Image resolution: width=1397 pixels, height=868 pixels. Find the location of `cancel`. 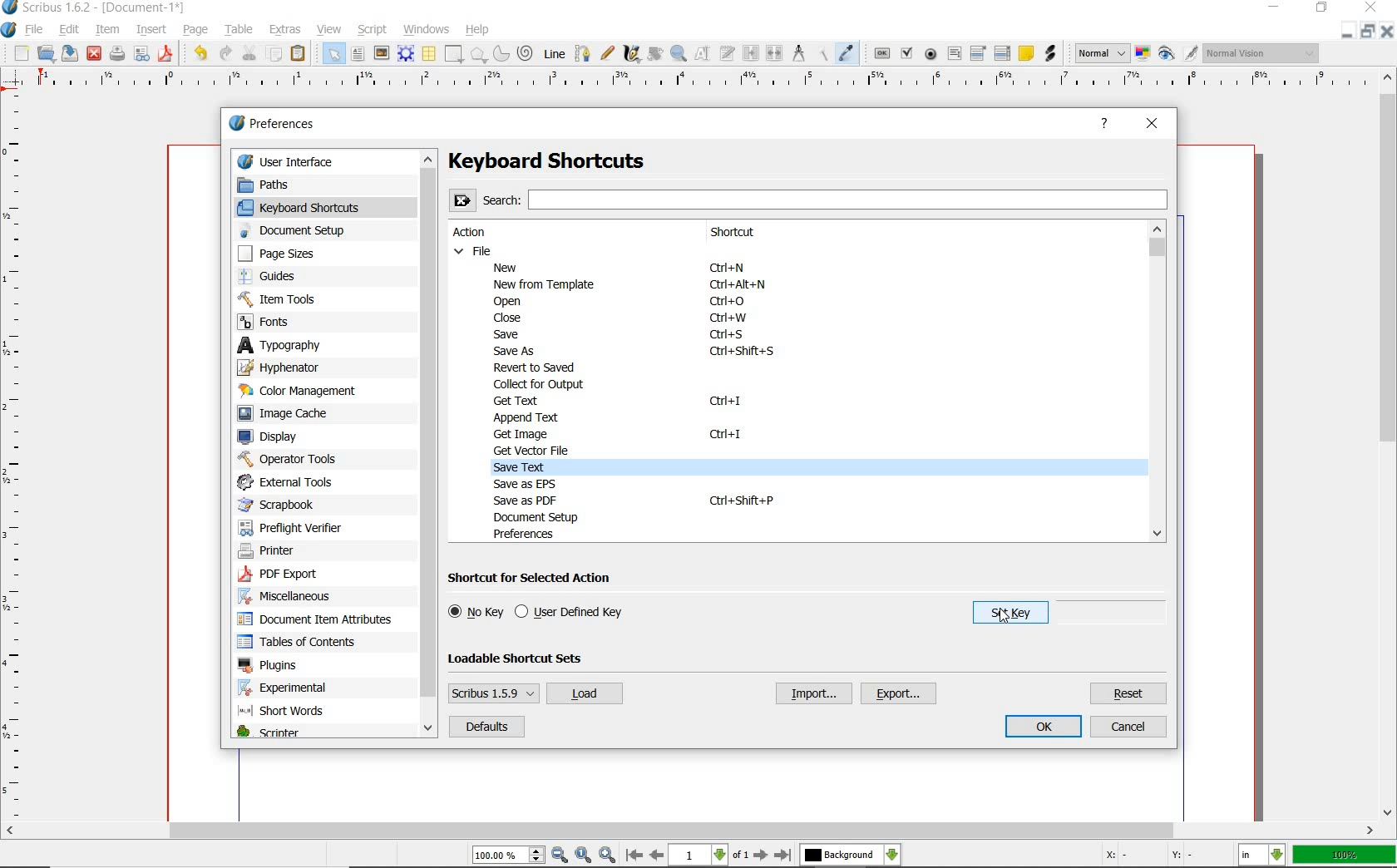

cancel is located at coordinates (1128, 727).